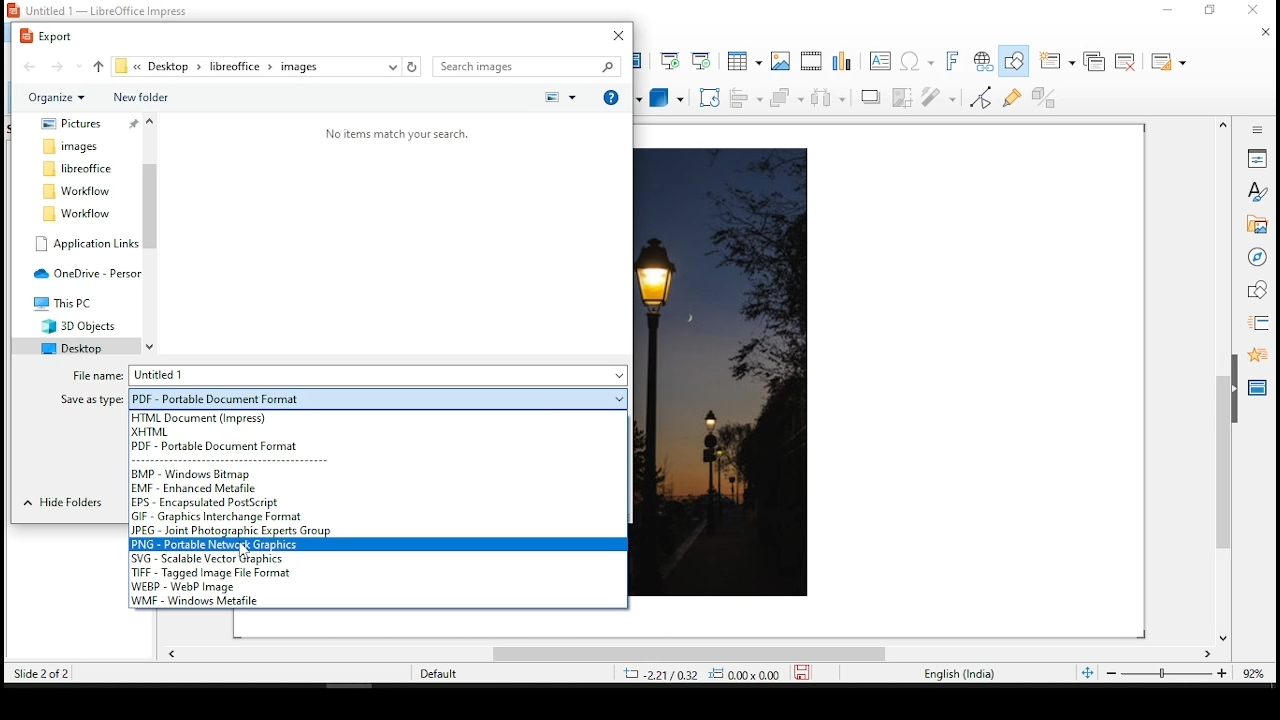 This screenshot has width=1280, height=720. I want to click on English, so click(958, 676).